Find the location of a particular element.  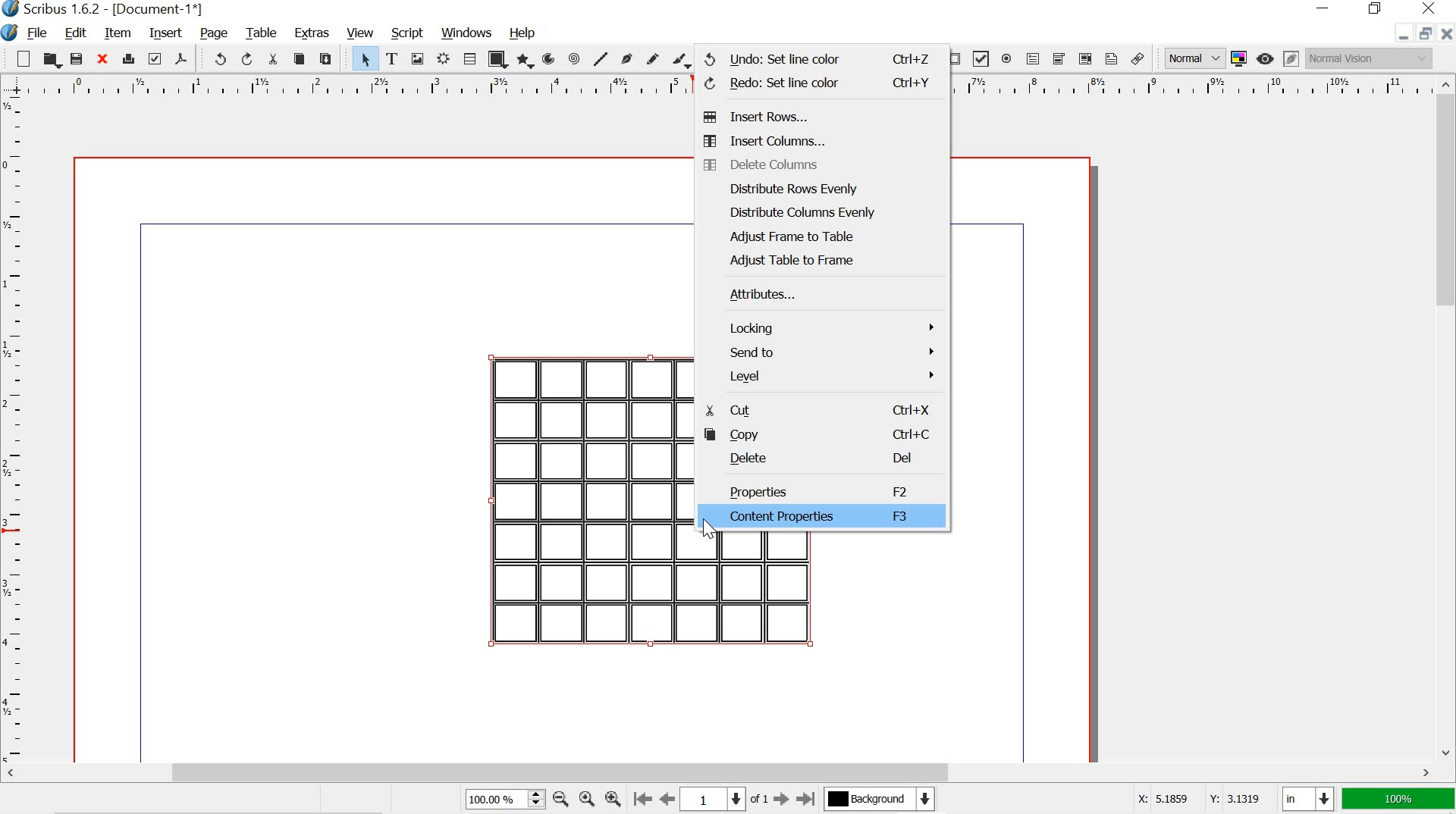

go to the perious page is located at coordinates (669, 798).